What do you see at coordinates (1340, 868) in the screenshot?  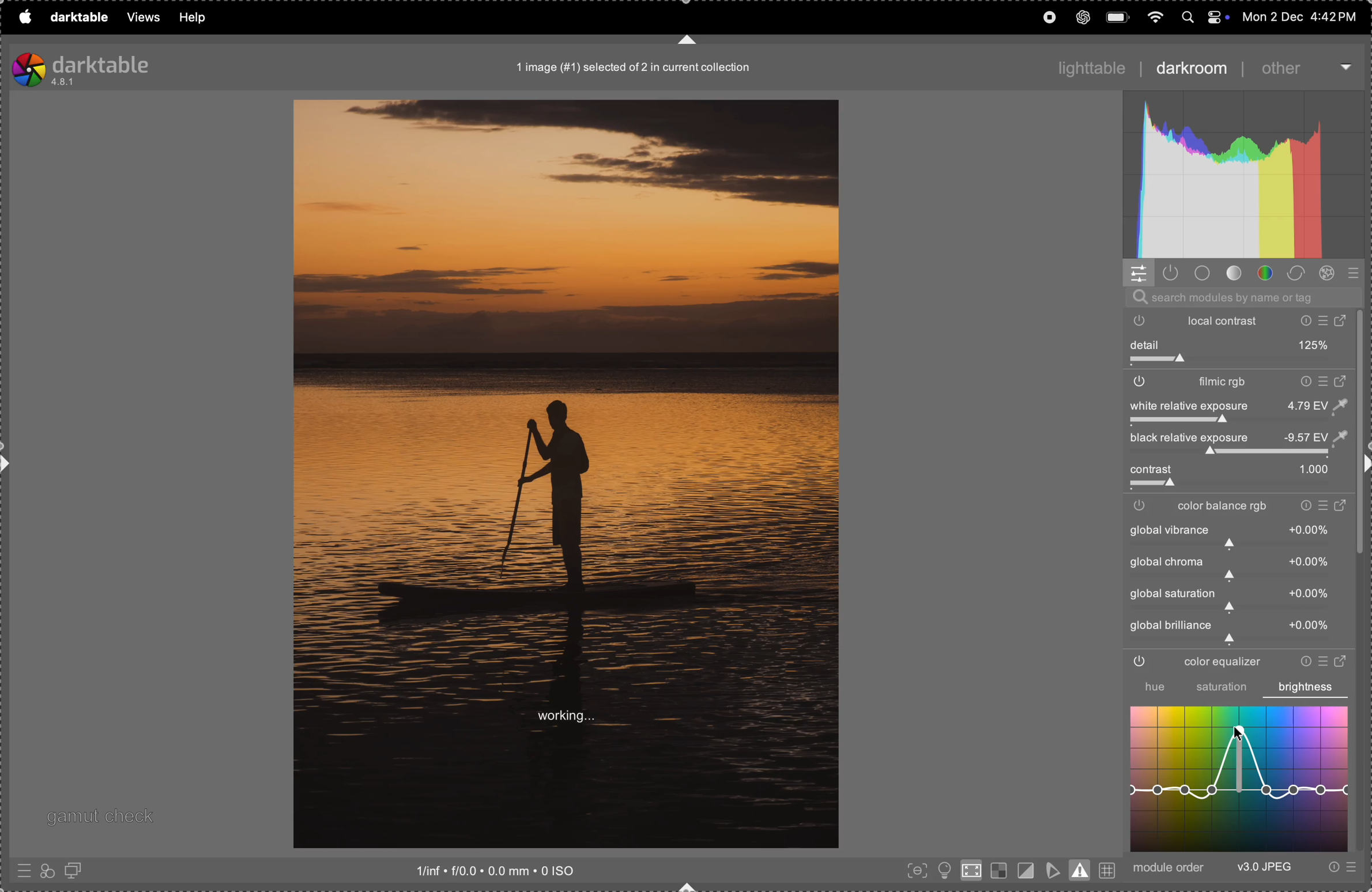 I see `presets` at bounding box center [1340, 868].